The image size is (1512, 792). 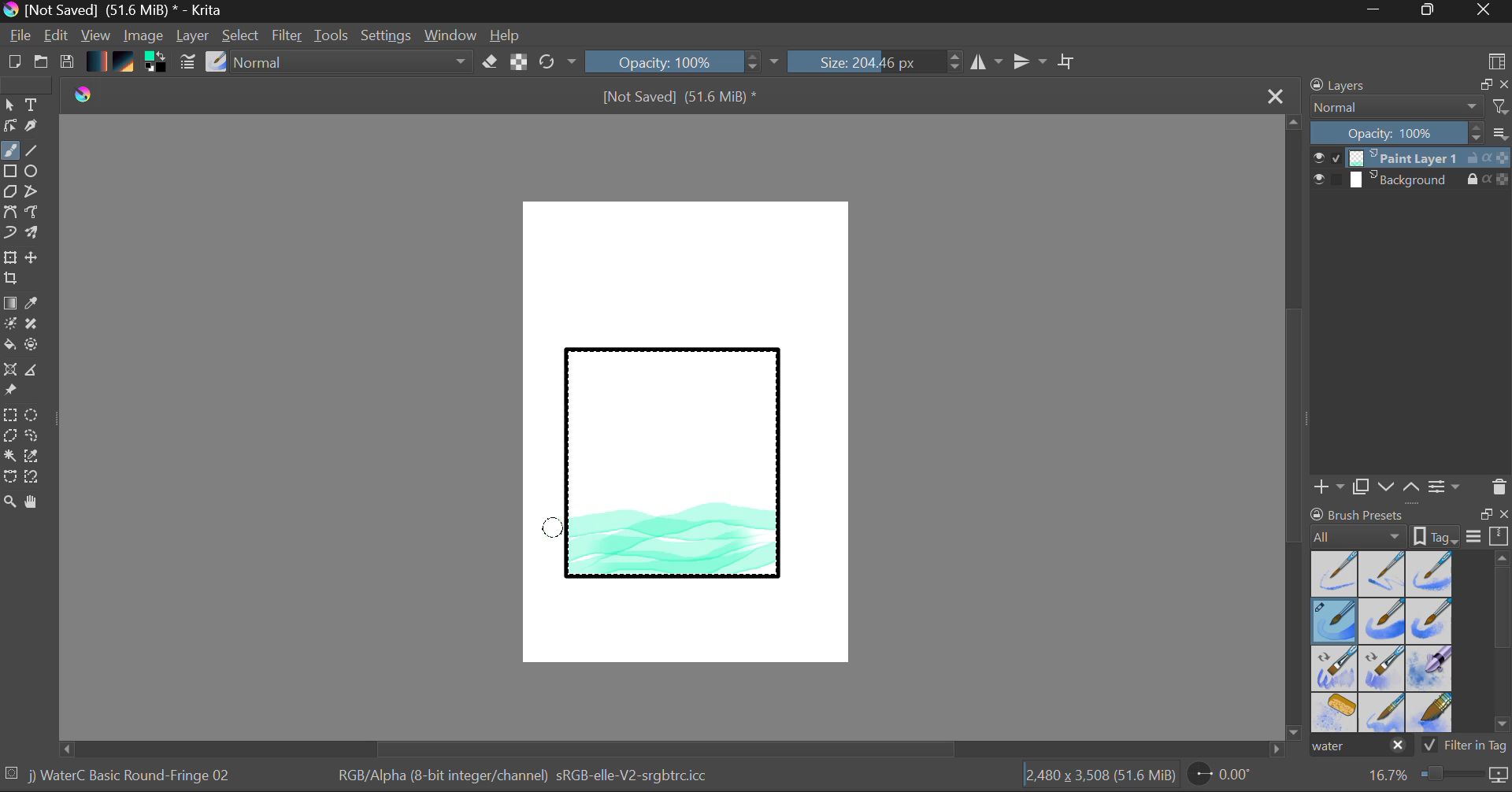 What do you see at coordinates (37, 505) in the screenshot?
I see `Pan` at bounding box center [37, 505].